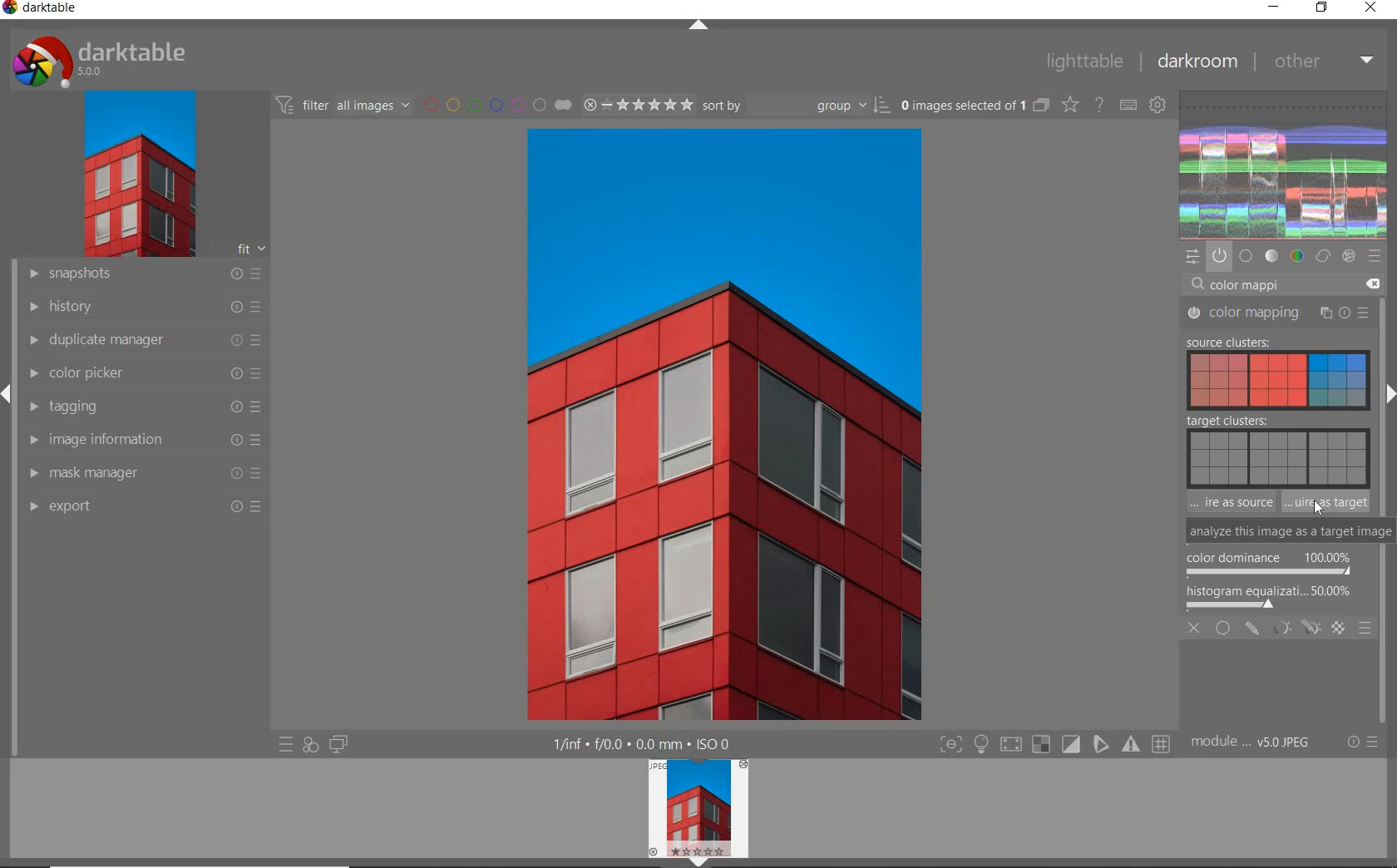 Image resolution: width=1397 pixels, height=868 pixels. Describe the element at coordinates (1128, 105) in the screenshot. I see `define keyboard shortcut` at that location.